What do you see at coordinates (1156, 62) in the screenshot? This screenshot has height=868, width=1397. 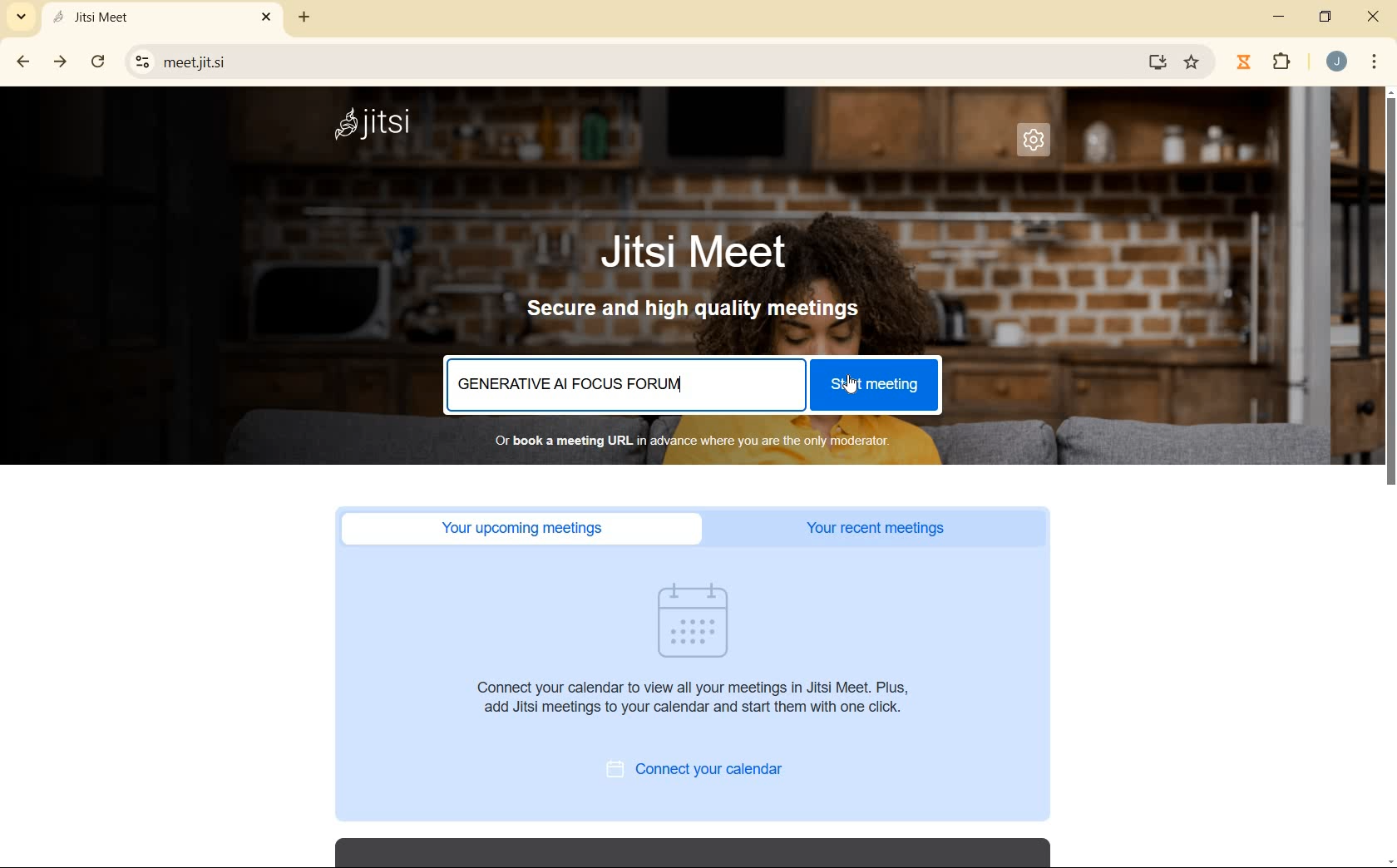 I see `Download` at bounding box center [1156, 62].